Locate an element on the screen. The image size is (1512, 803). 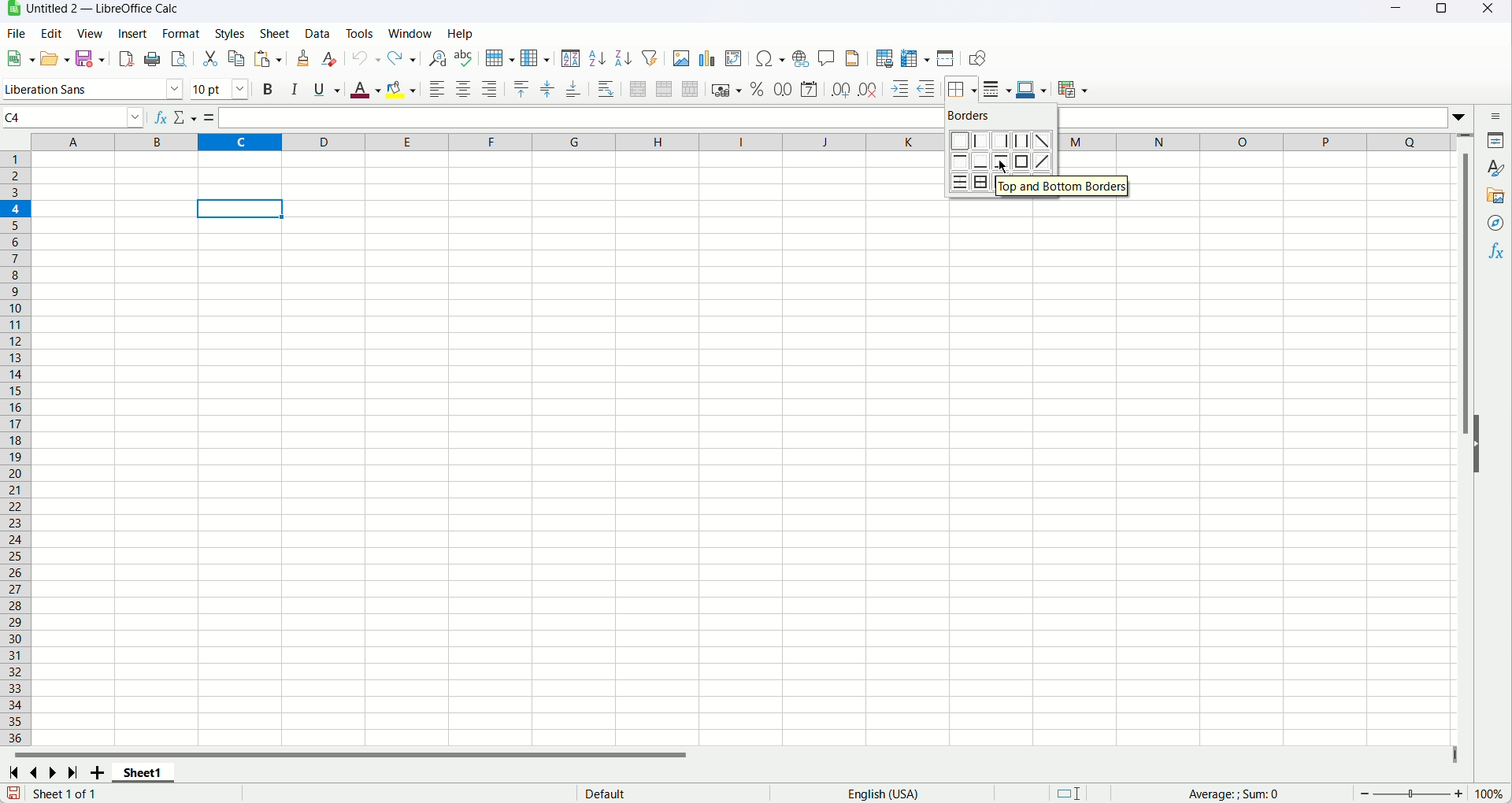
Next sheet is located at coordinates (51, 774).